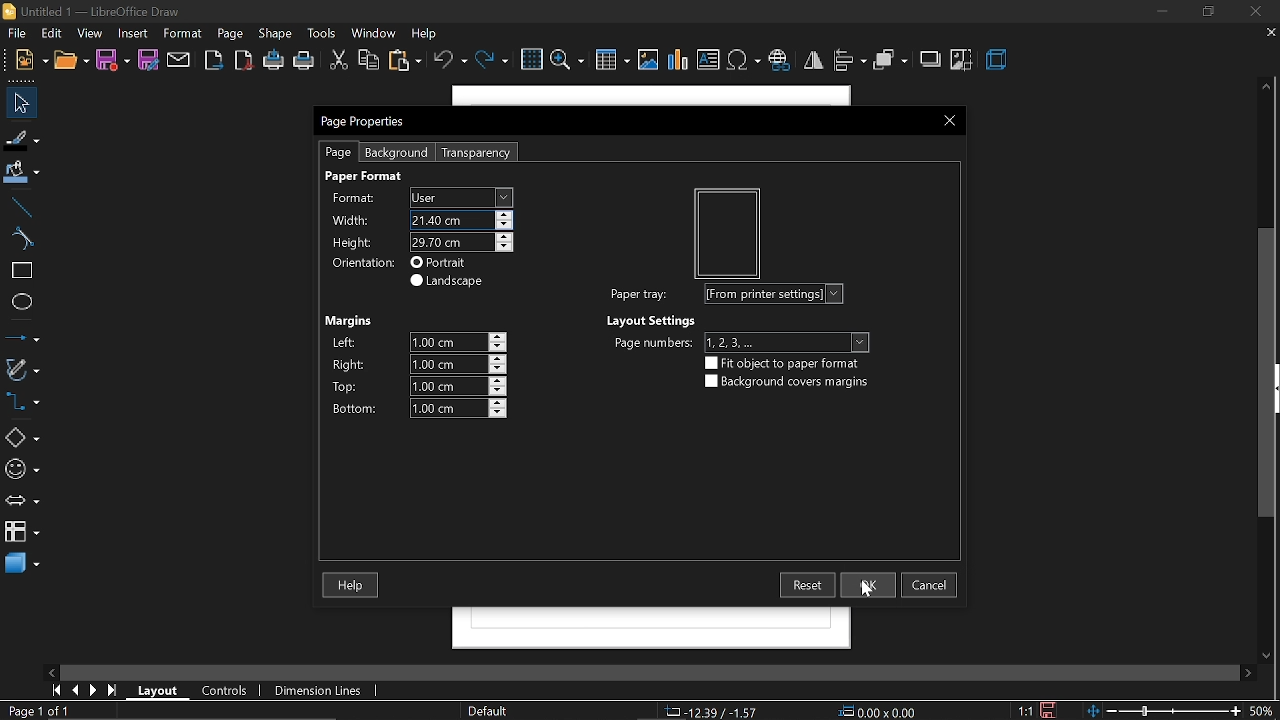  What do you see at coordinates (815, 60) in the screenshot?
I see `flip` at bounding box center [815, 60].